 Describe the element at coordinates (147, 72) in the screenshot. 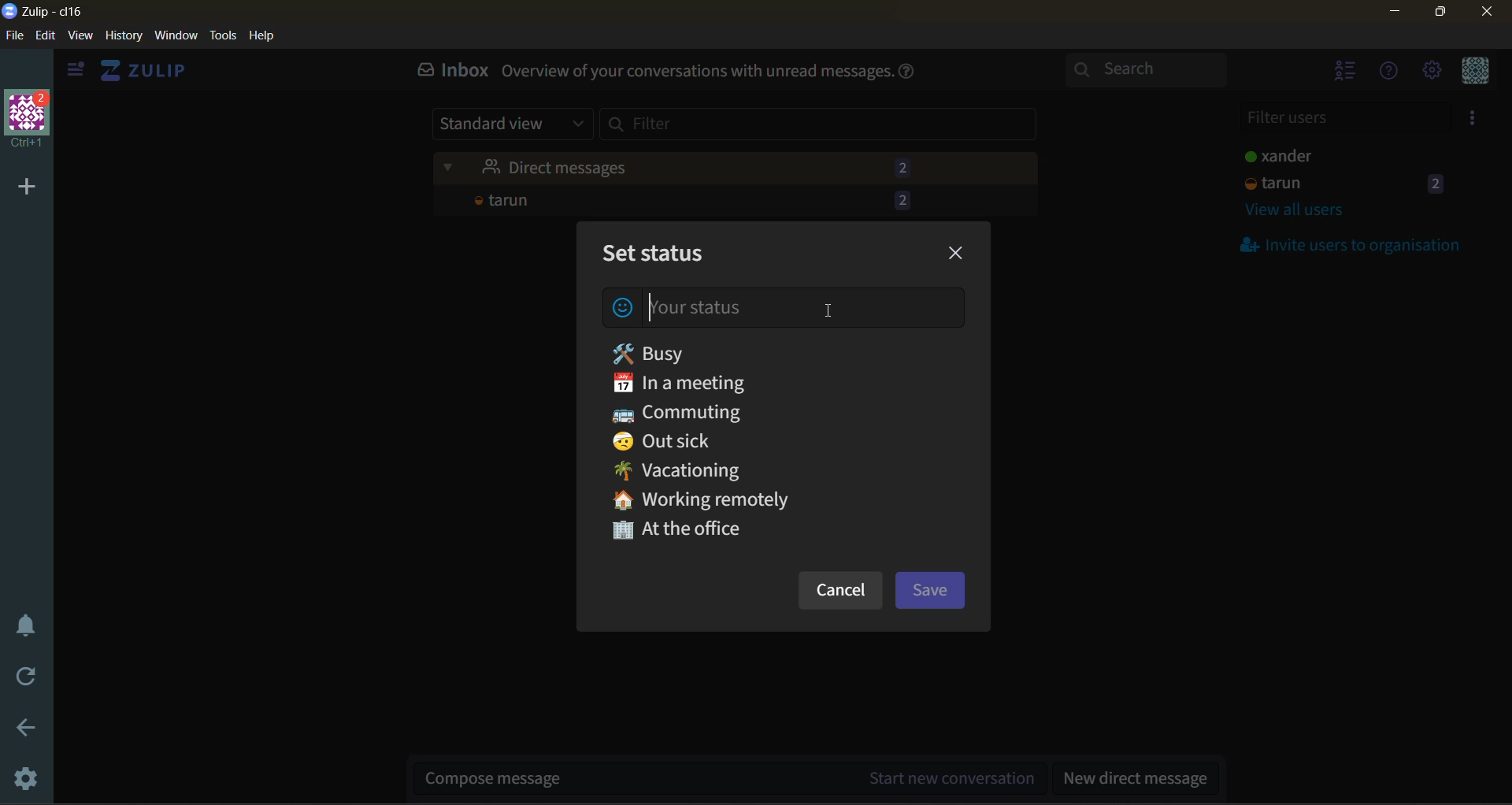

I see `view home` at that location.